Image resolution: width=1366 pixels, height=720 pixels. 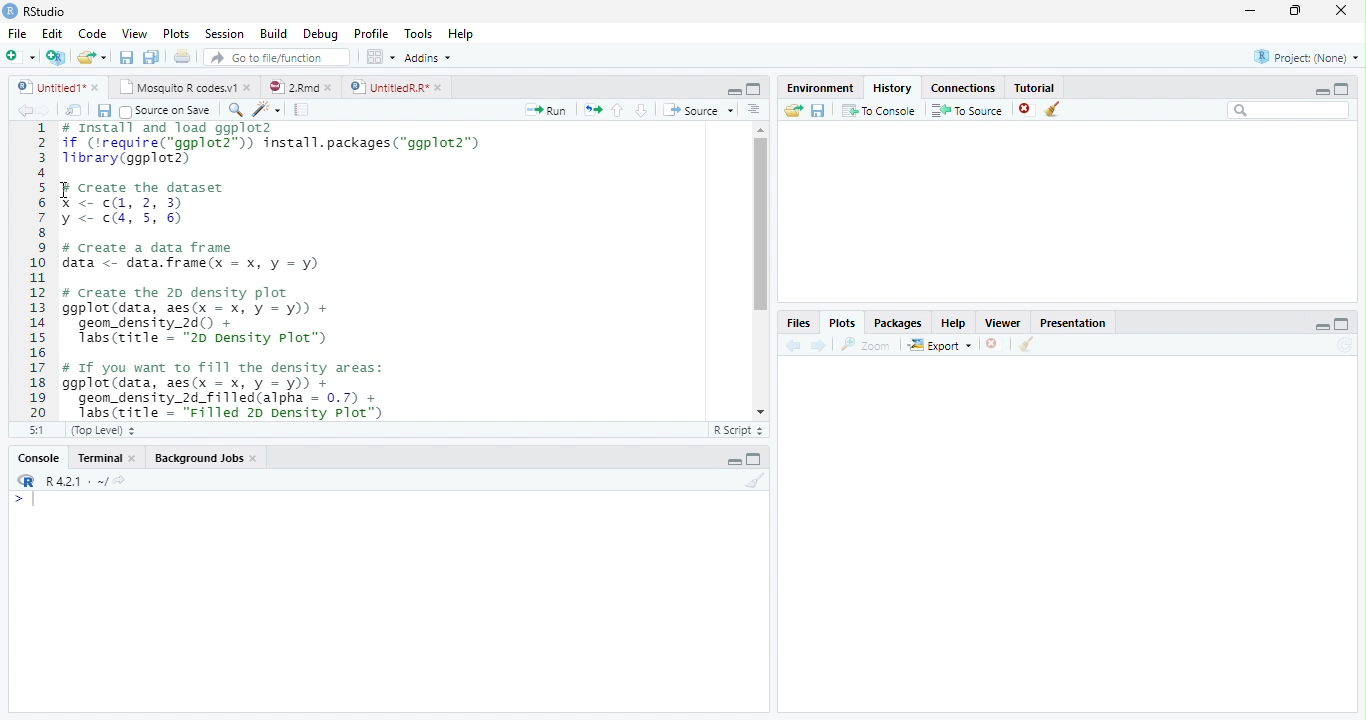 I want to click on Viewer, so click(x=1001, y=322).